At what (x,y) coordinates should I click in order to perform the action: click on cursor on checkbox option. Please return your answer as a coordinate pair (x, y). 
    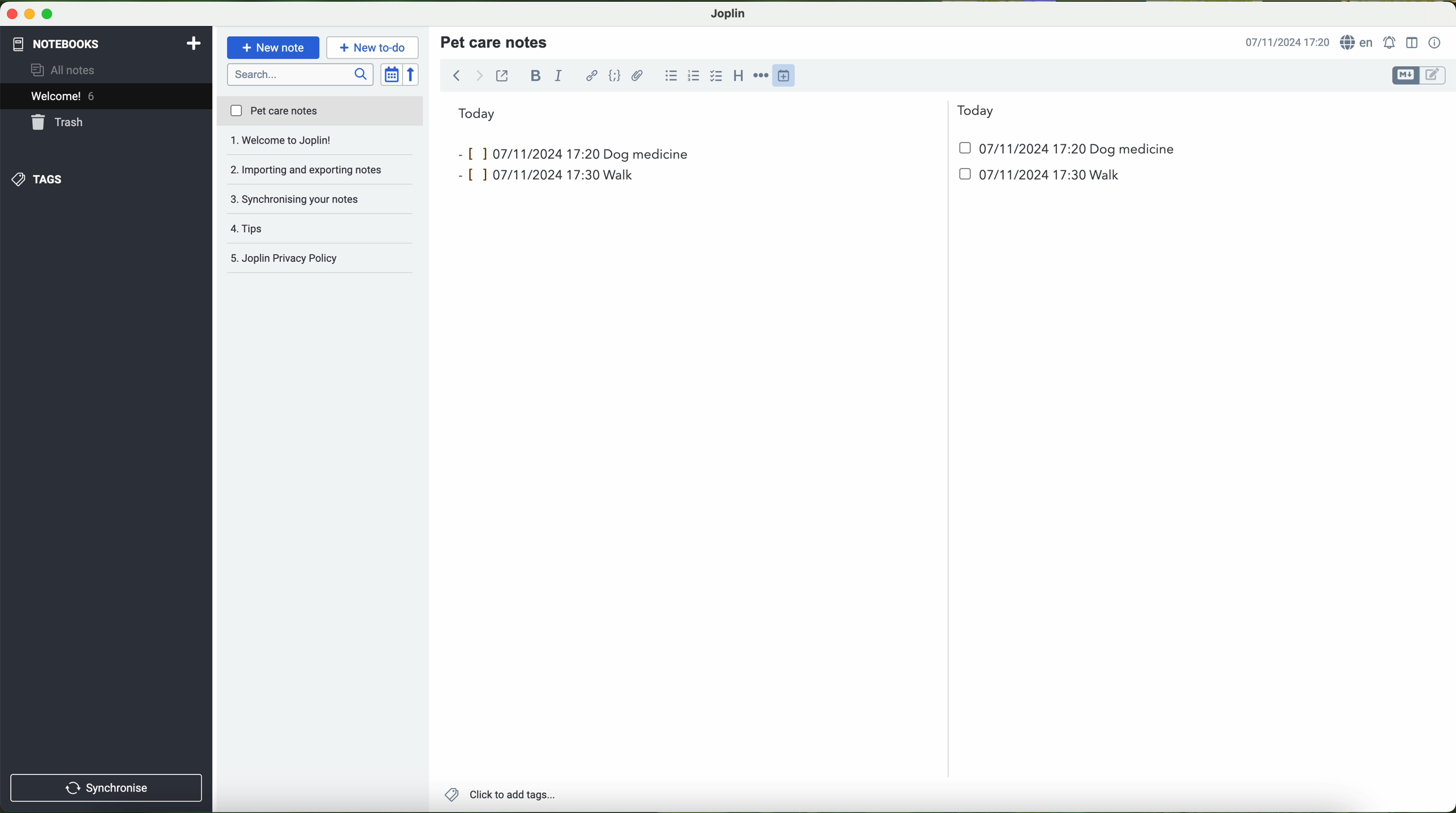
    Looking at the image, I should click on (718, 76).